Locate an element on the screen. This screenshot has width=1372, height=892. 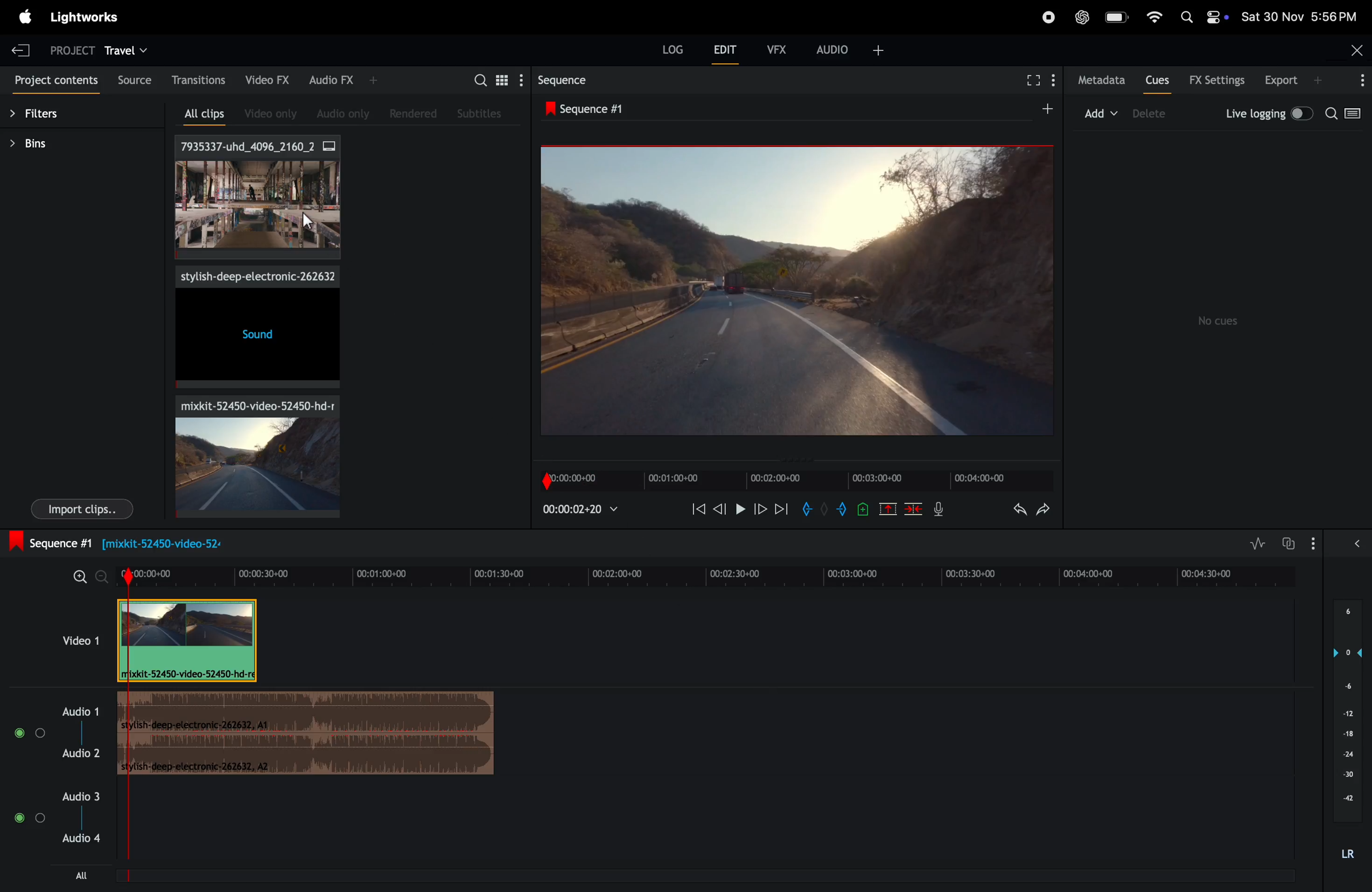
video clip is located at coordinates (189, 641).